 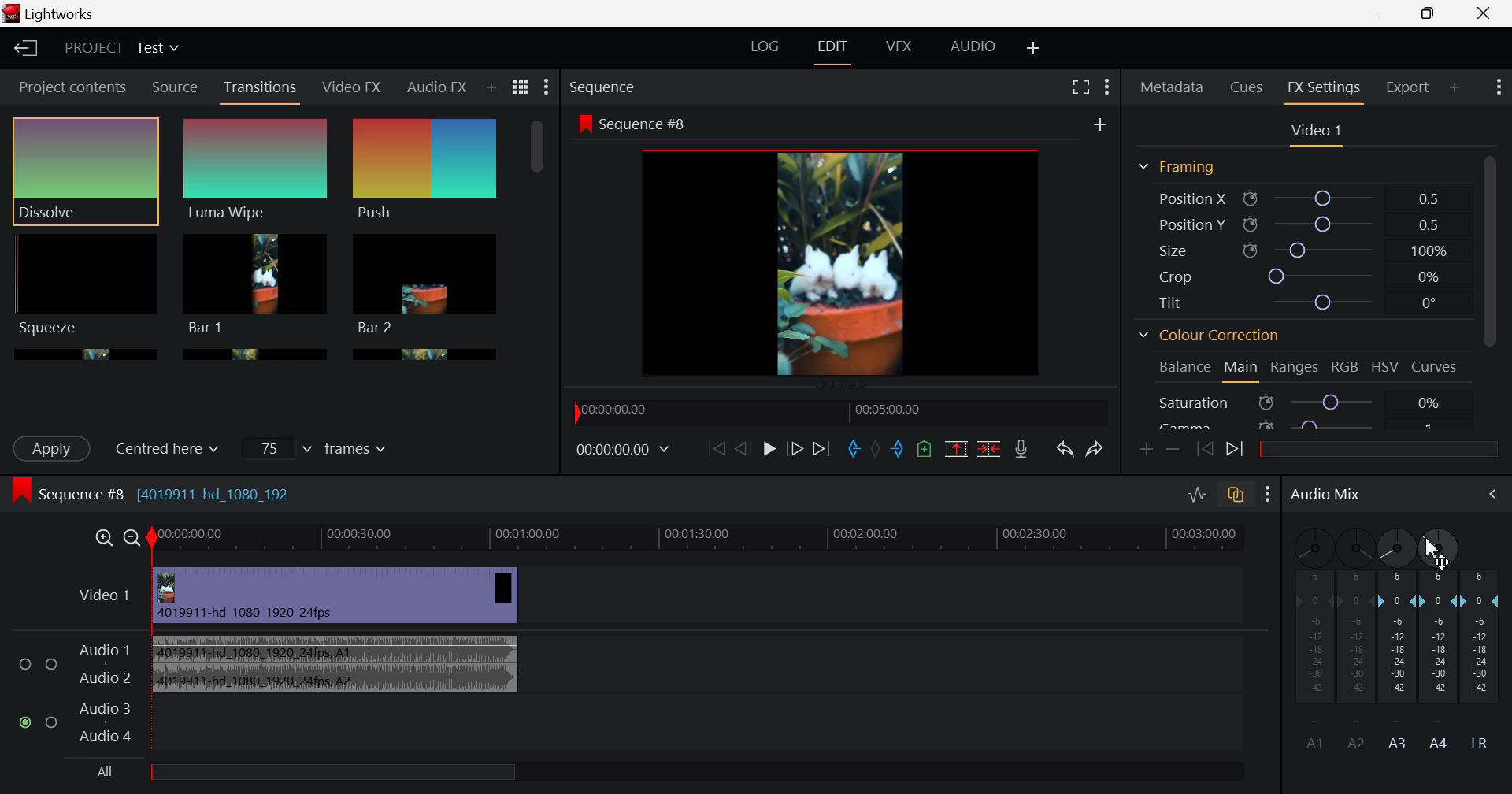 I want to click on A3 Channel Decibel Level, so click(x=1394, y=637).